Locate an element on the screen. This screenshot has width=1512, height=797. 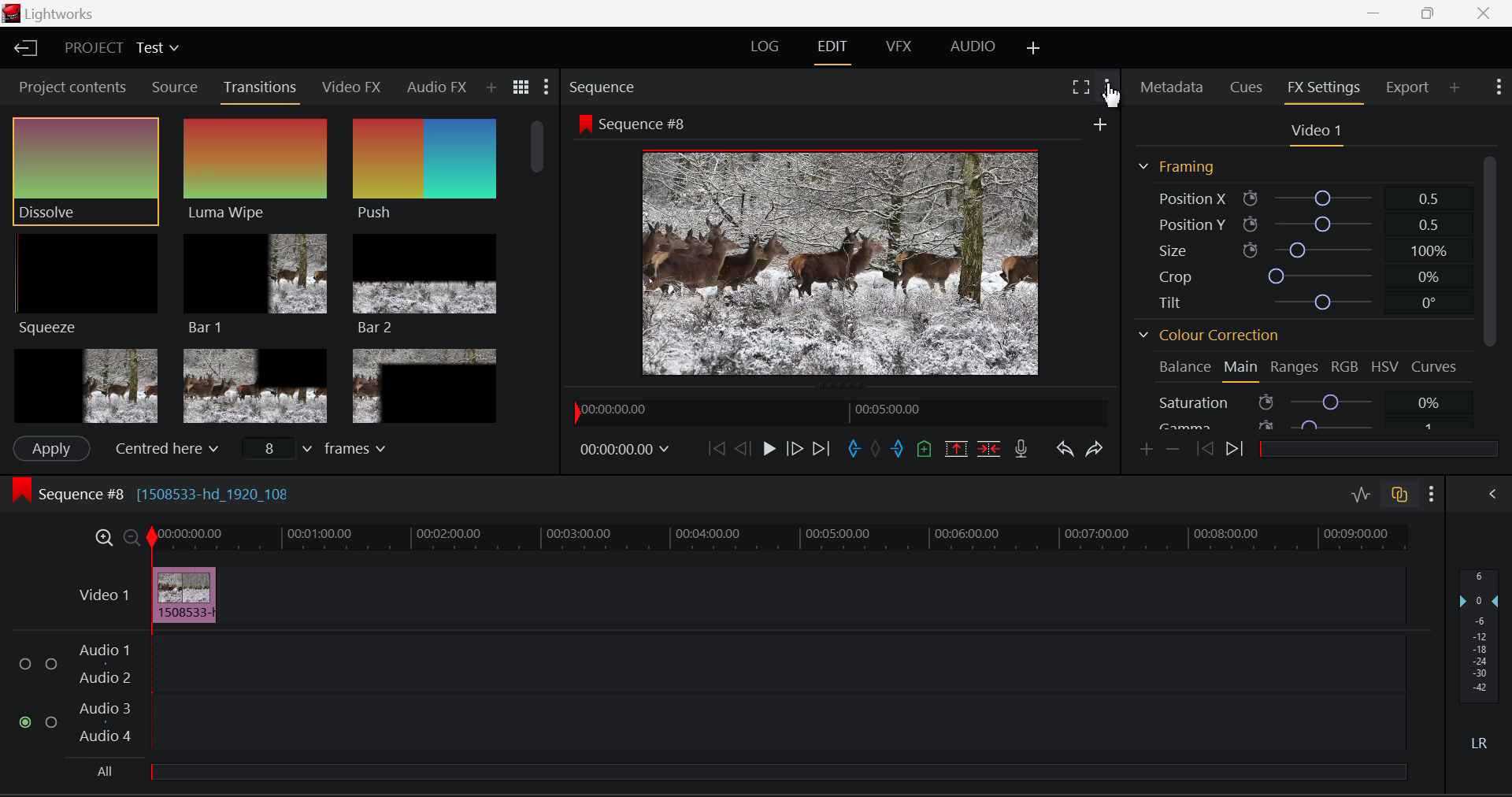
Ranges is located at coordinates (1296, 369).